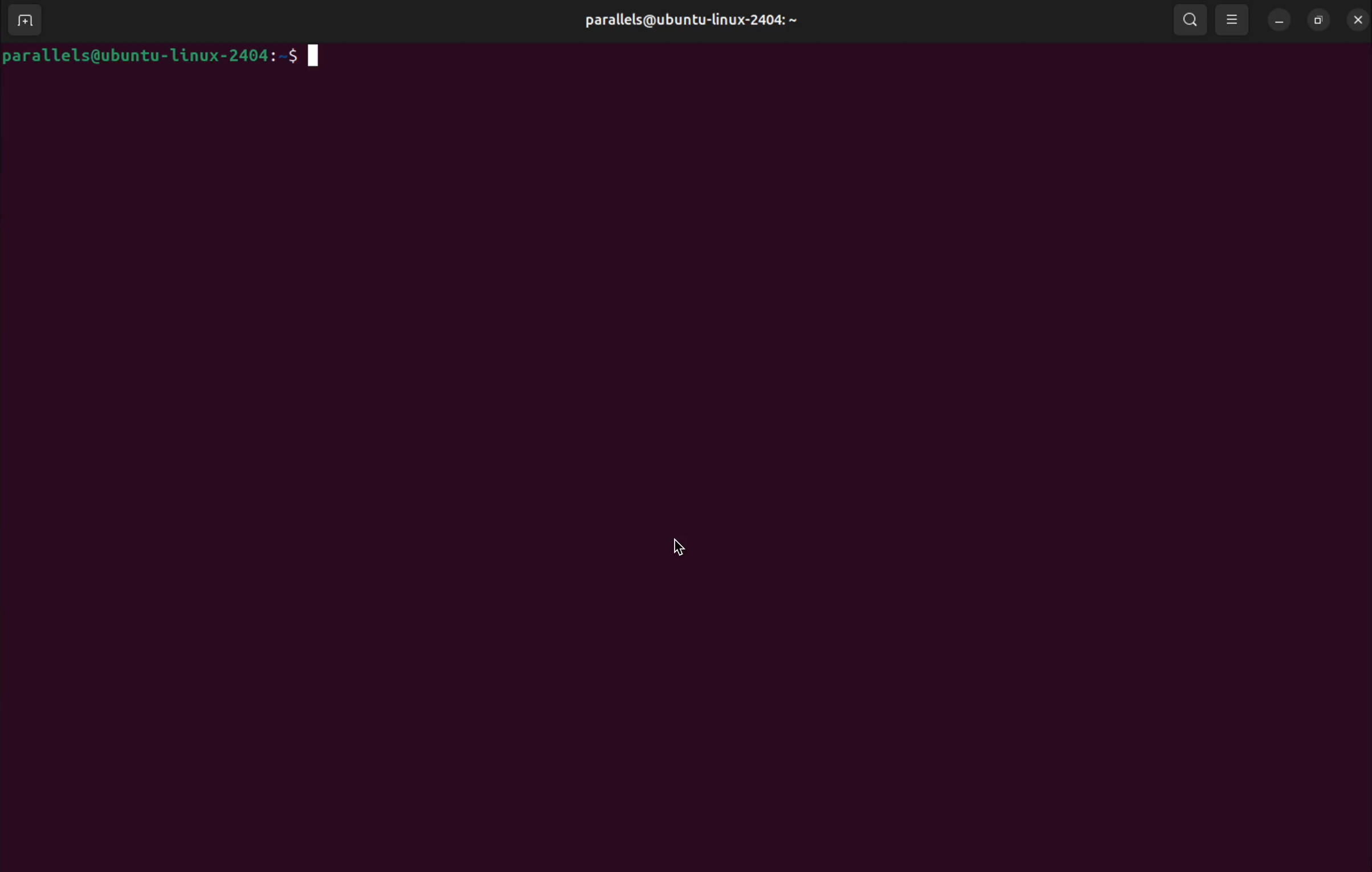 This screenshot has height=872, width=1372. I want to click on parallels username, so click(699, 18).